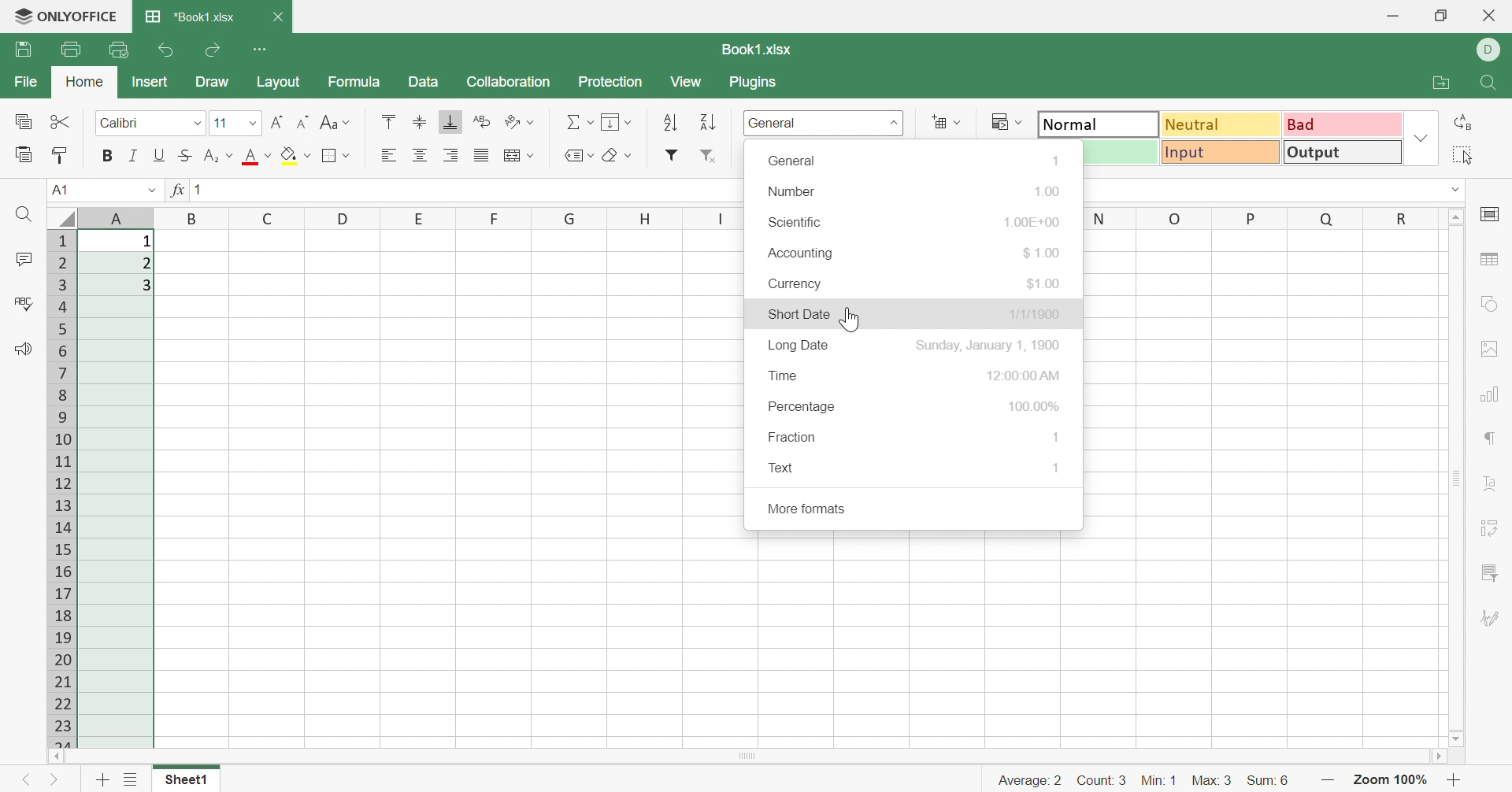 This screenshot has height=792, width=1512. I want to click on Text, so click(784, 467).